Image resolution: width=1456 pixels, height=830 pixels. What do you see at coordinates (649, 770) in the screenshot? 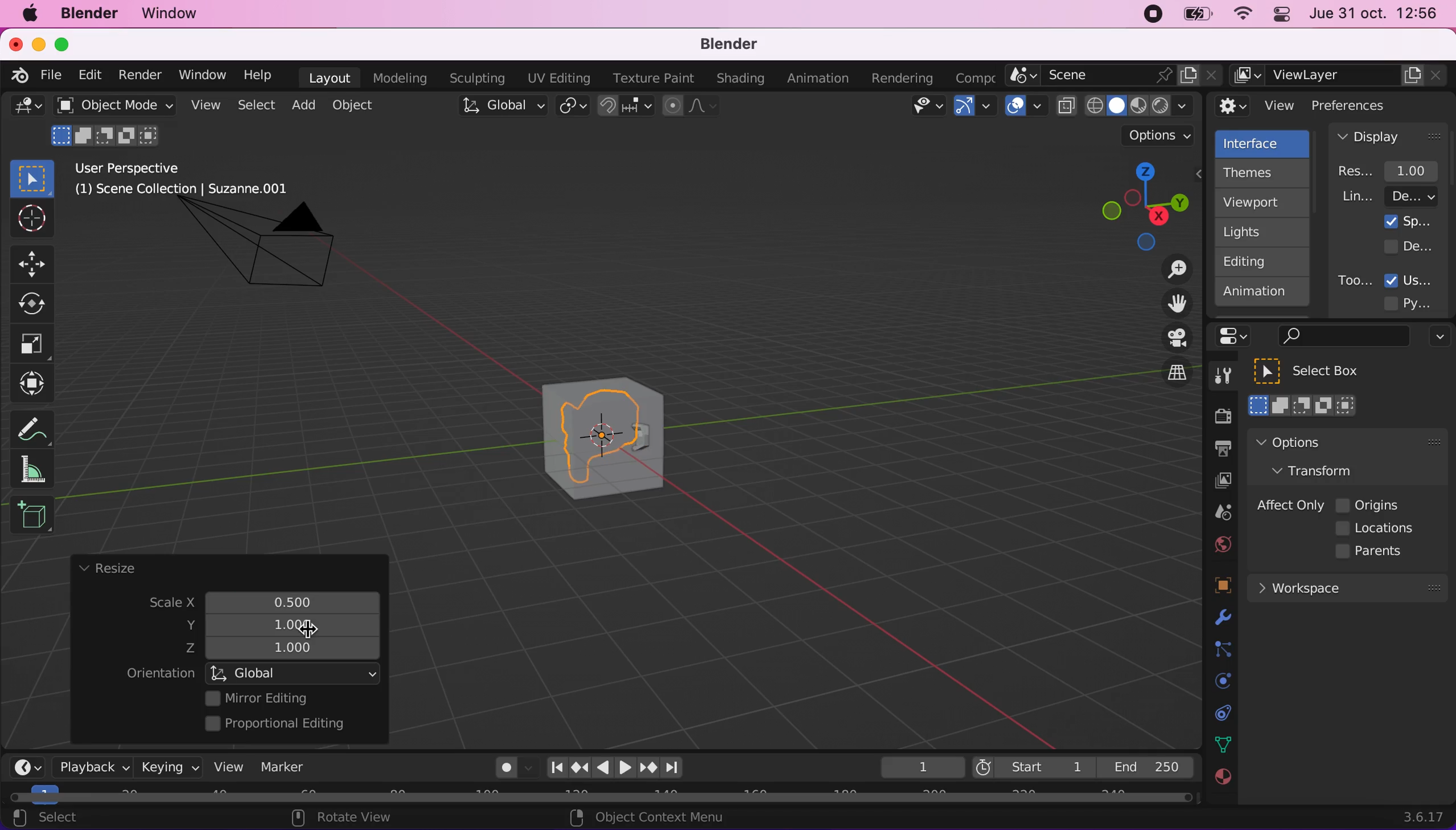
I see `jump to keyframe` at bounding box center [649, 770].